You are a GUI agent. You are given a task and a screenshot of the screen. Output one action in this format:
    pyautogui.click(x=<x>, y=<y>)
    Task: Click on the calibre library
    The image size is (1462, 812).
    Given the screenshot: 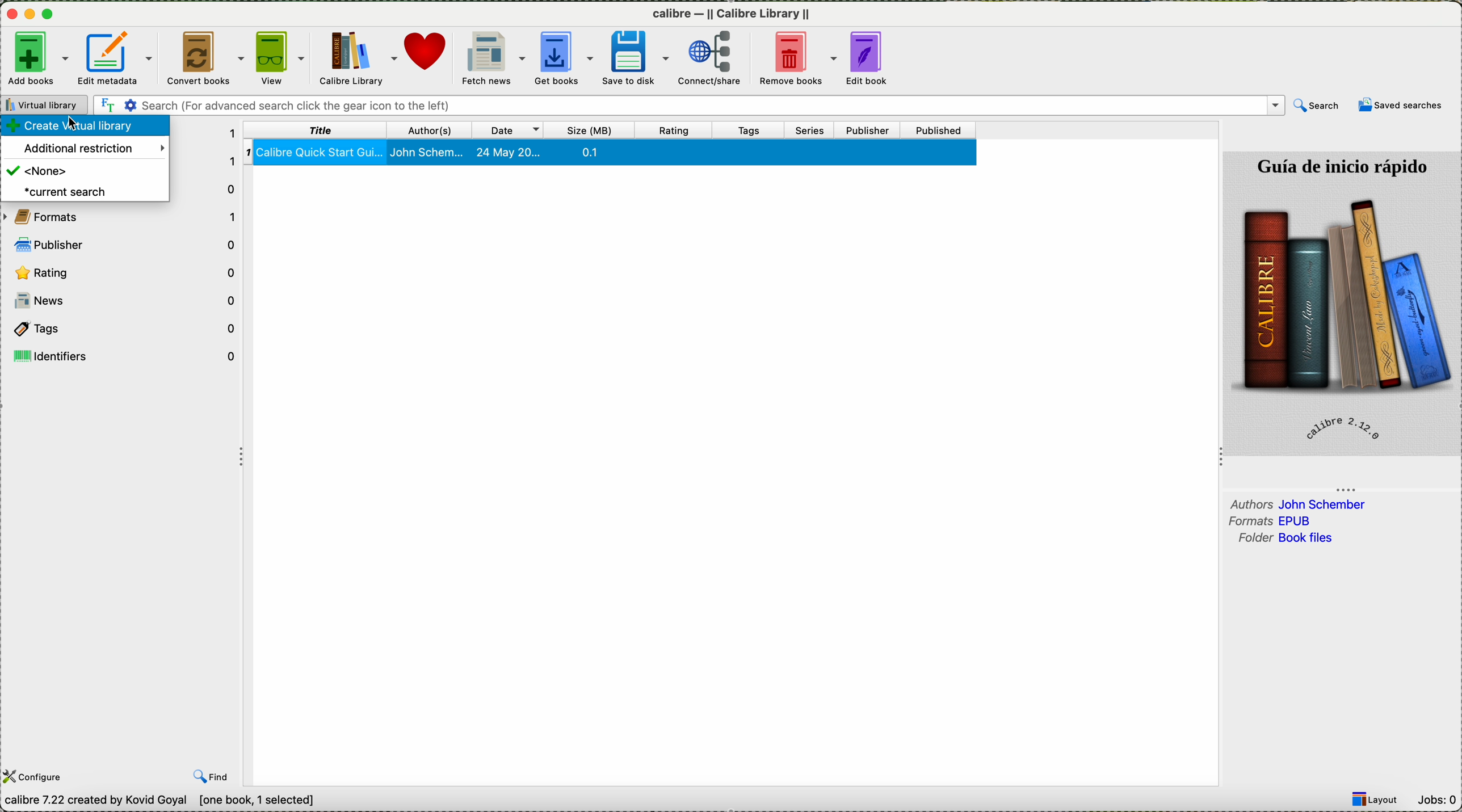 What is the action you would take?
    pyautogui.click(x=360, y=58)
    